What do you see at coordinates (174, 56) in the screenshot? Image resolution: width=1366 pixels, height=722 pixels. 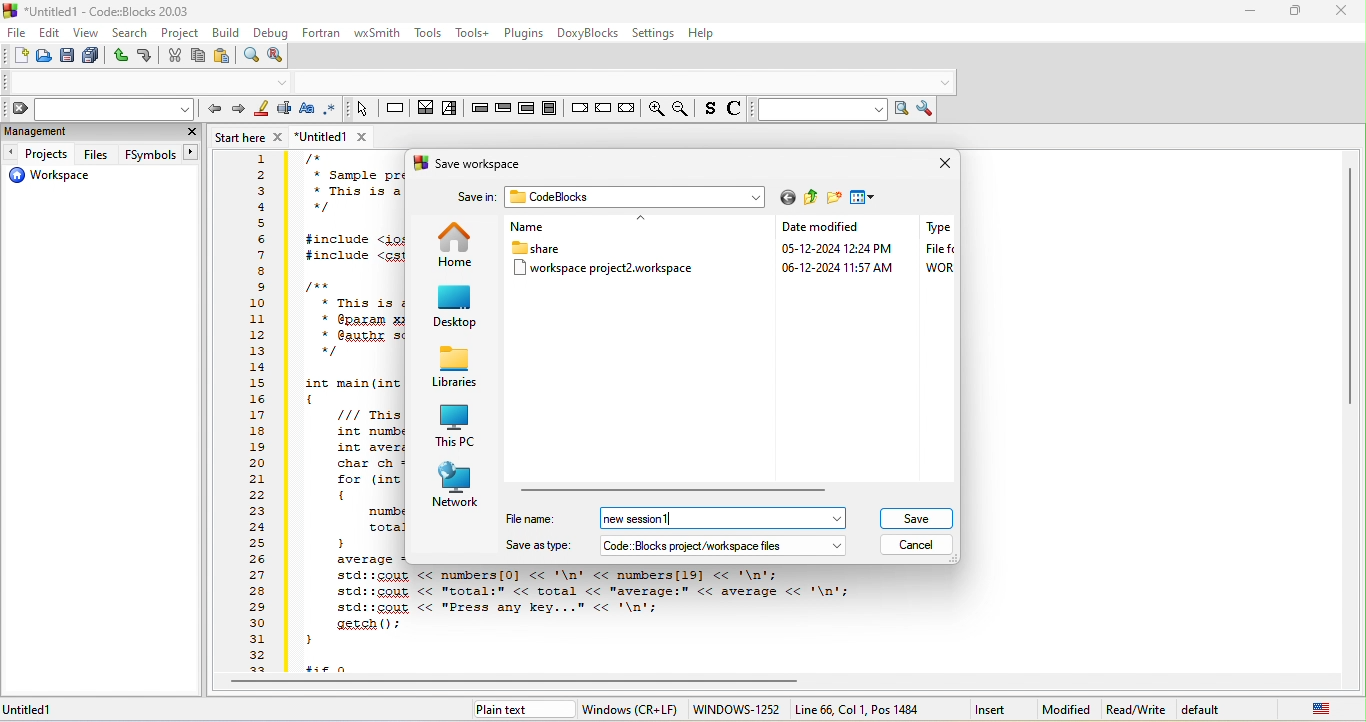 I see `cut` at bounding box center [174, 56].